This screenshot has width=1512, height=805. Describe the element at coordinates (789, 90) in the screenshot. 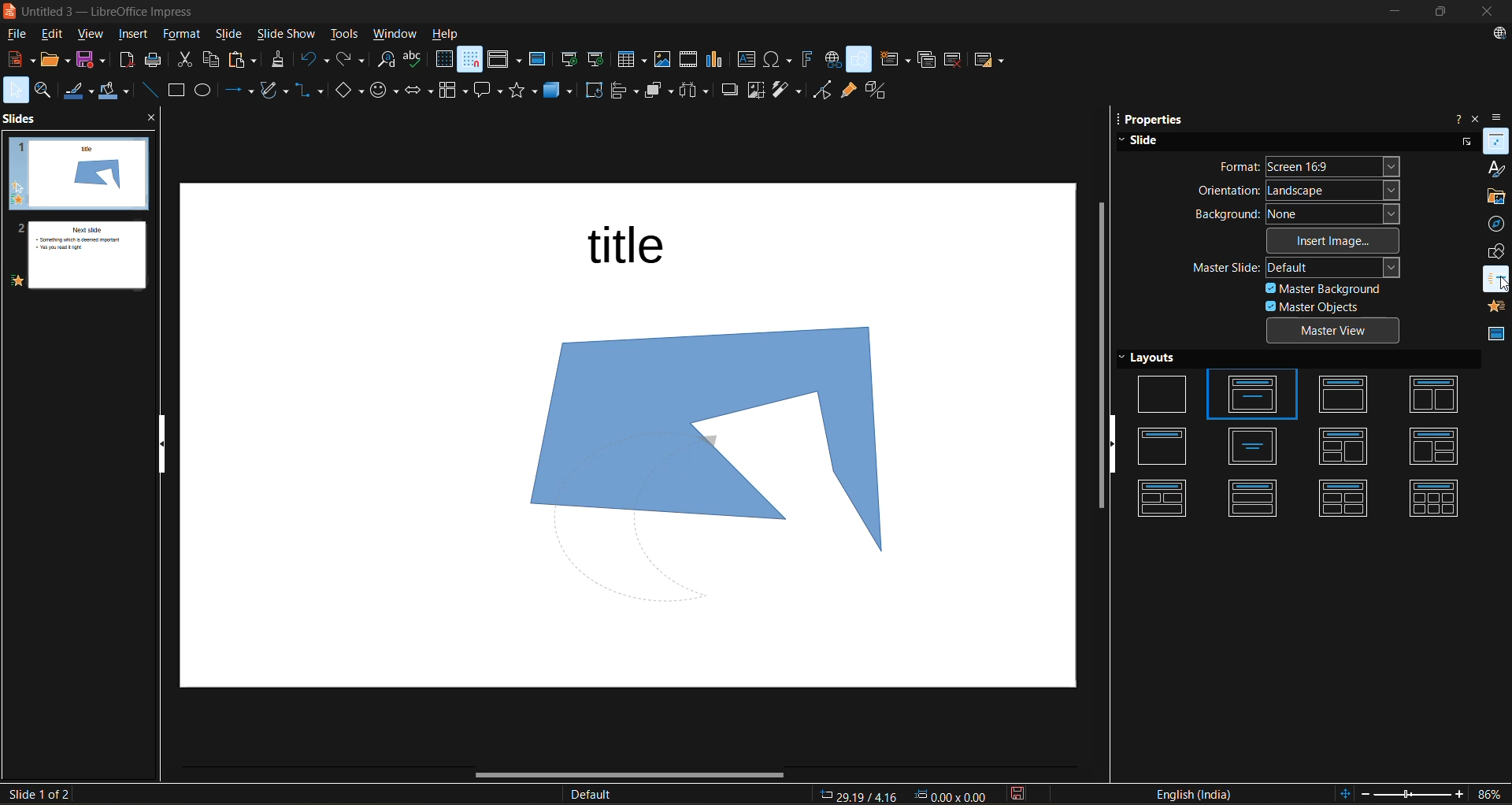

I see `filter` at that location.